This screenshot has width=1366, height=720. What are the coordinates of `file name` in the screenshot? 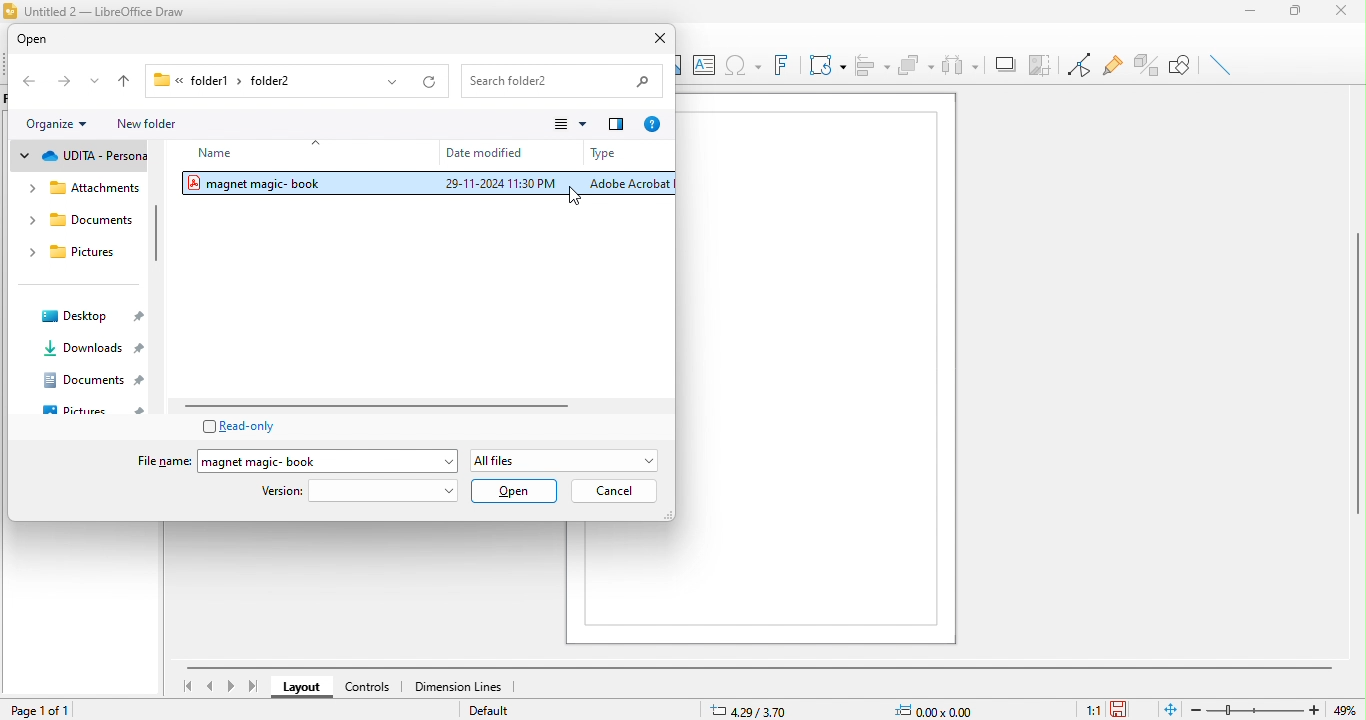 It's located at (156, 460).